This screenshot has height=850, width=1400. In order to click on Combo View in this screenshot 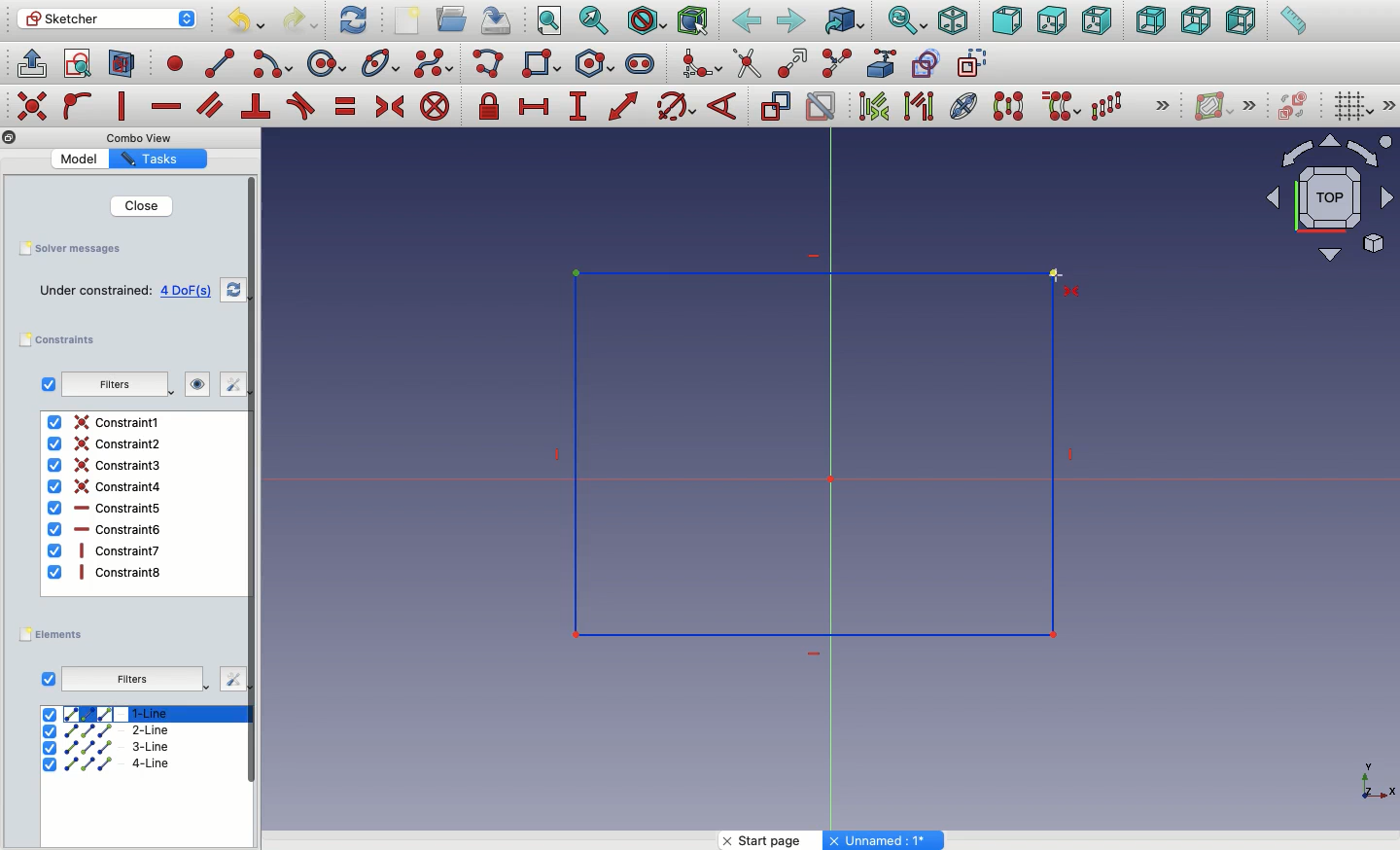, I will do `click(140, 137)`.